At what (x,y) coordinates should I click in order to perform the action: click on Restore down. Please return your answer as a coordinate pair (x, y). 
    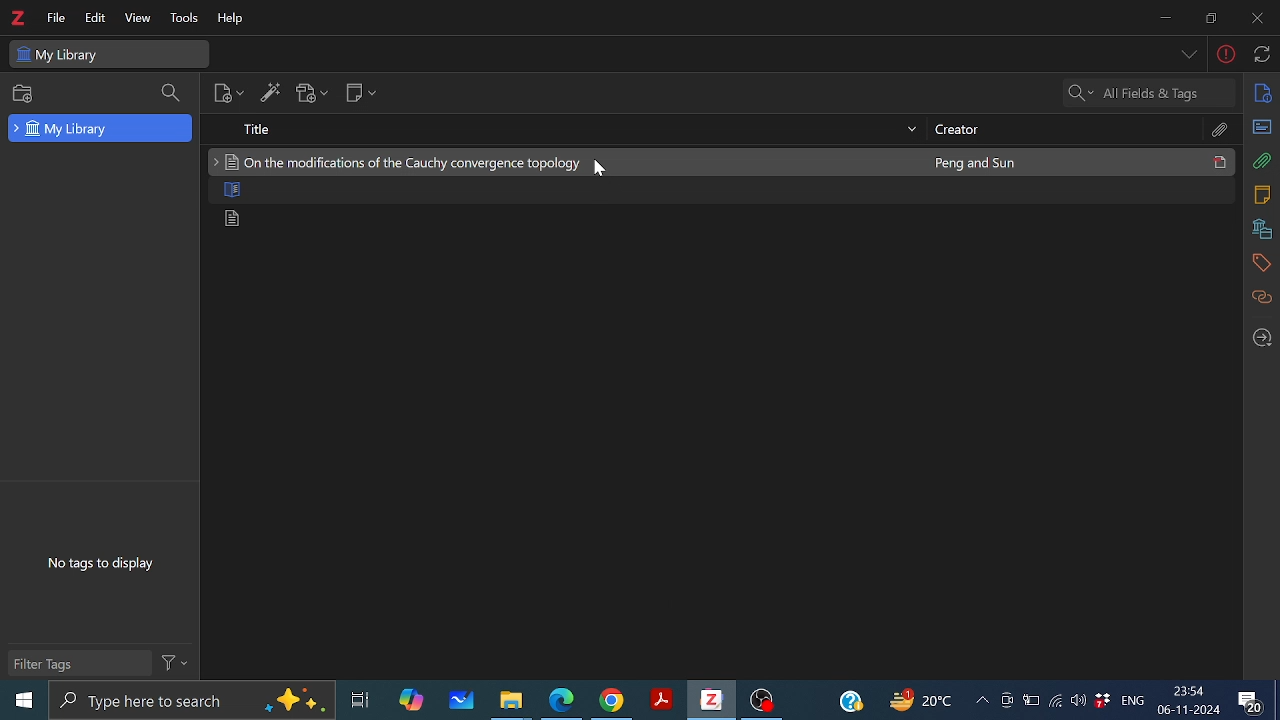
    Looking at the image, I should click on (1208, 18).